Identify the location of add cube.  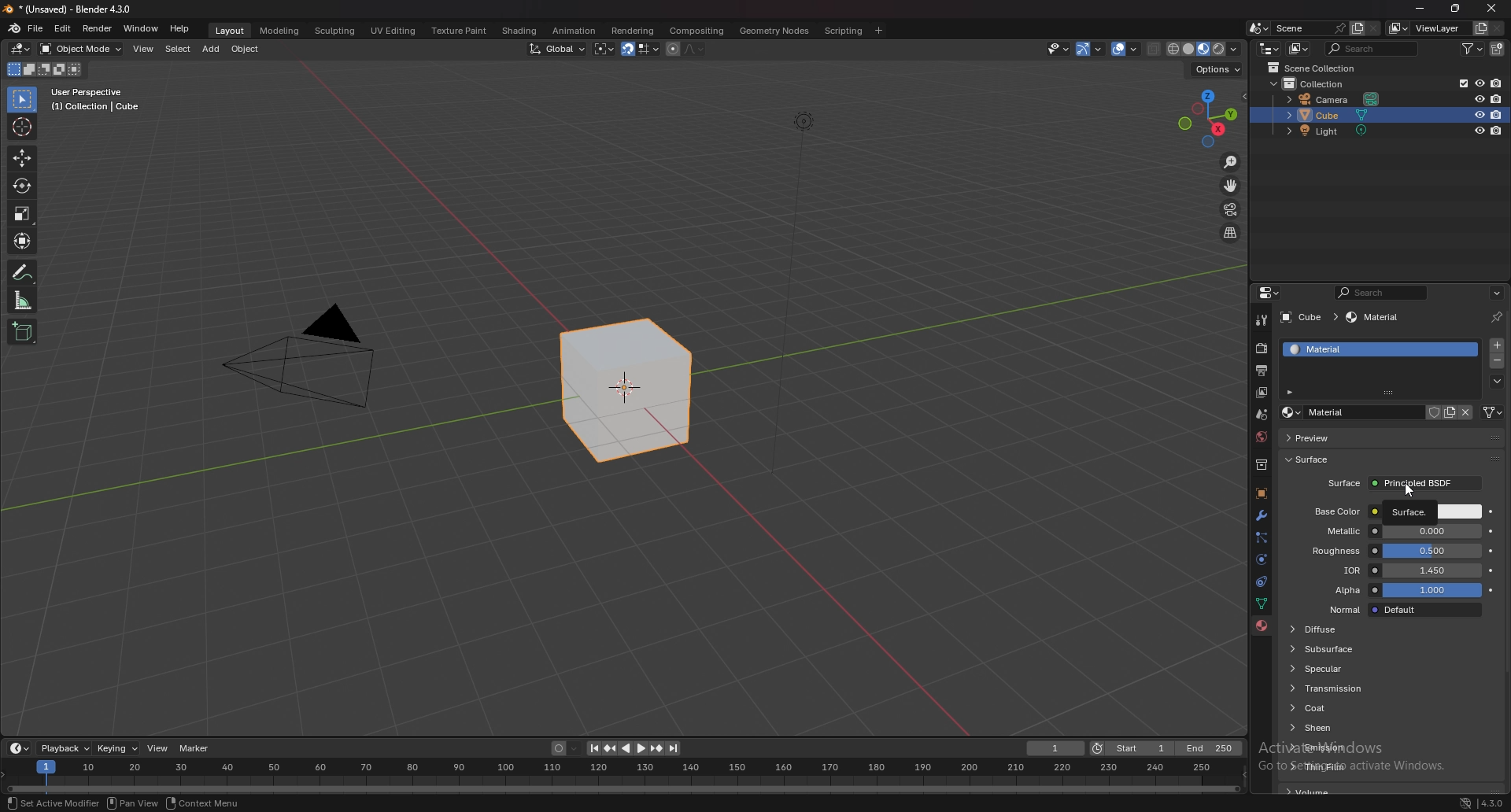
(22, 333).